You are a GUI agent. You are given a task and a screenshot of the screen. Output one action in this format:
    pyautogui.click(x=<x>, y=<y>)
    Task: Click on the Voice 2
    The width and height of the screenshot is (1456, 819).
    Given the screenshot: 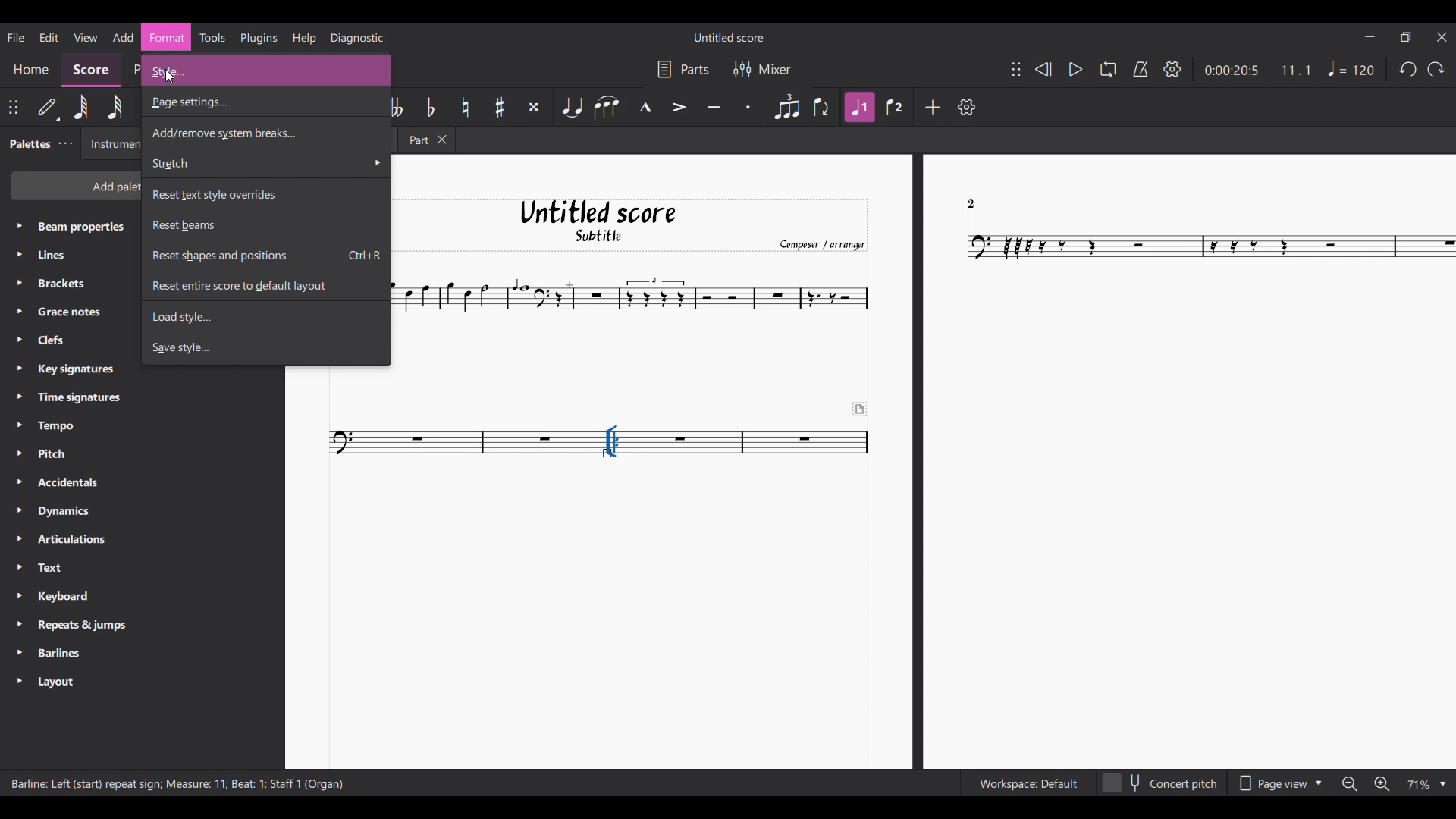 What is the action you would take?
    pyautogui.click(x=895, y=107)
    